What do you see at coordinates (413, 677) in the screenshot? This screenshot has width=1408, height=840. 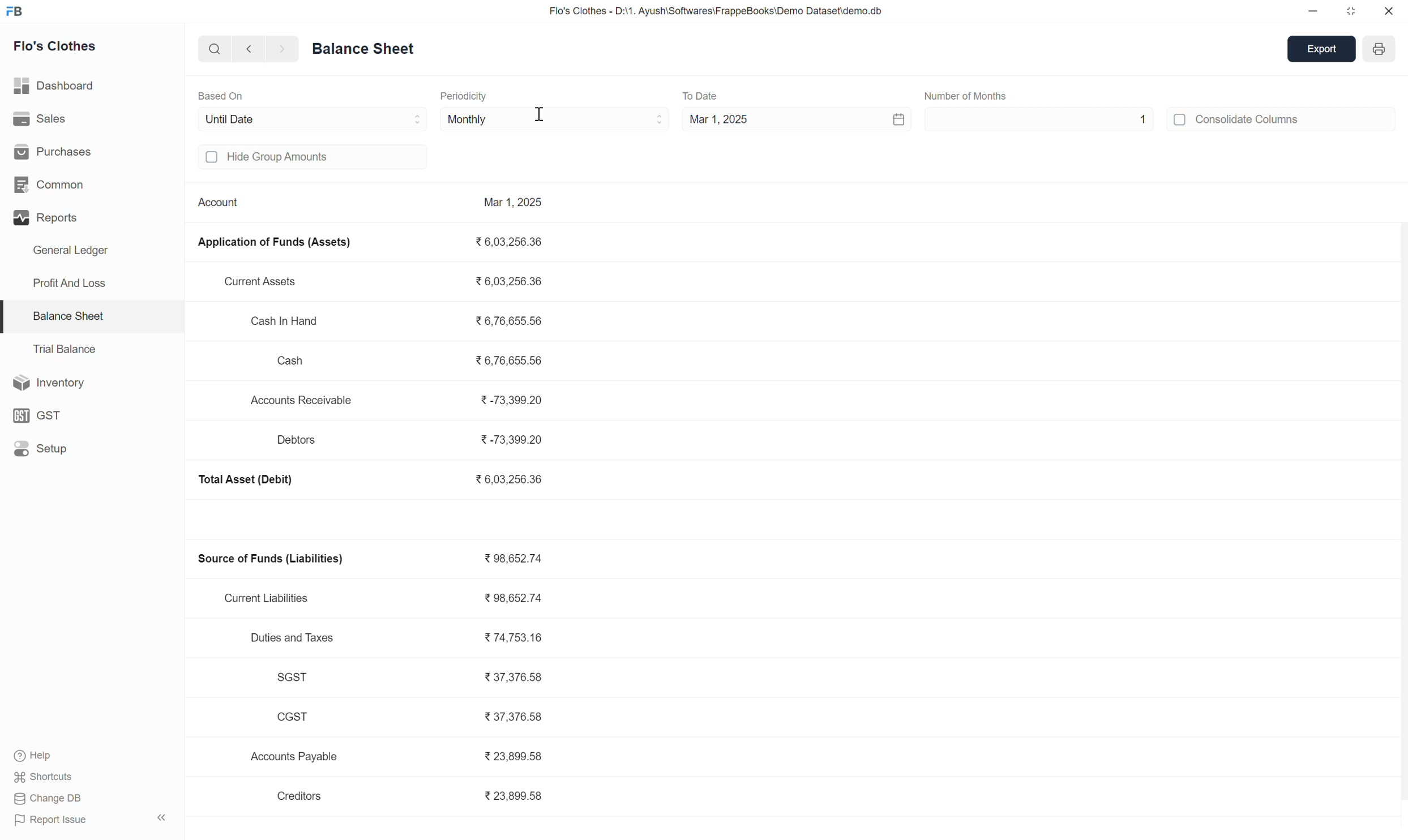 I see `SGST 37,376.58` at bounding box center [413, 677].